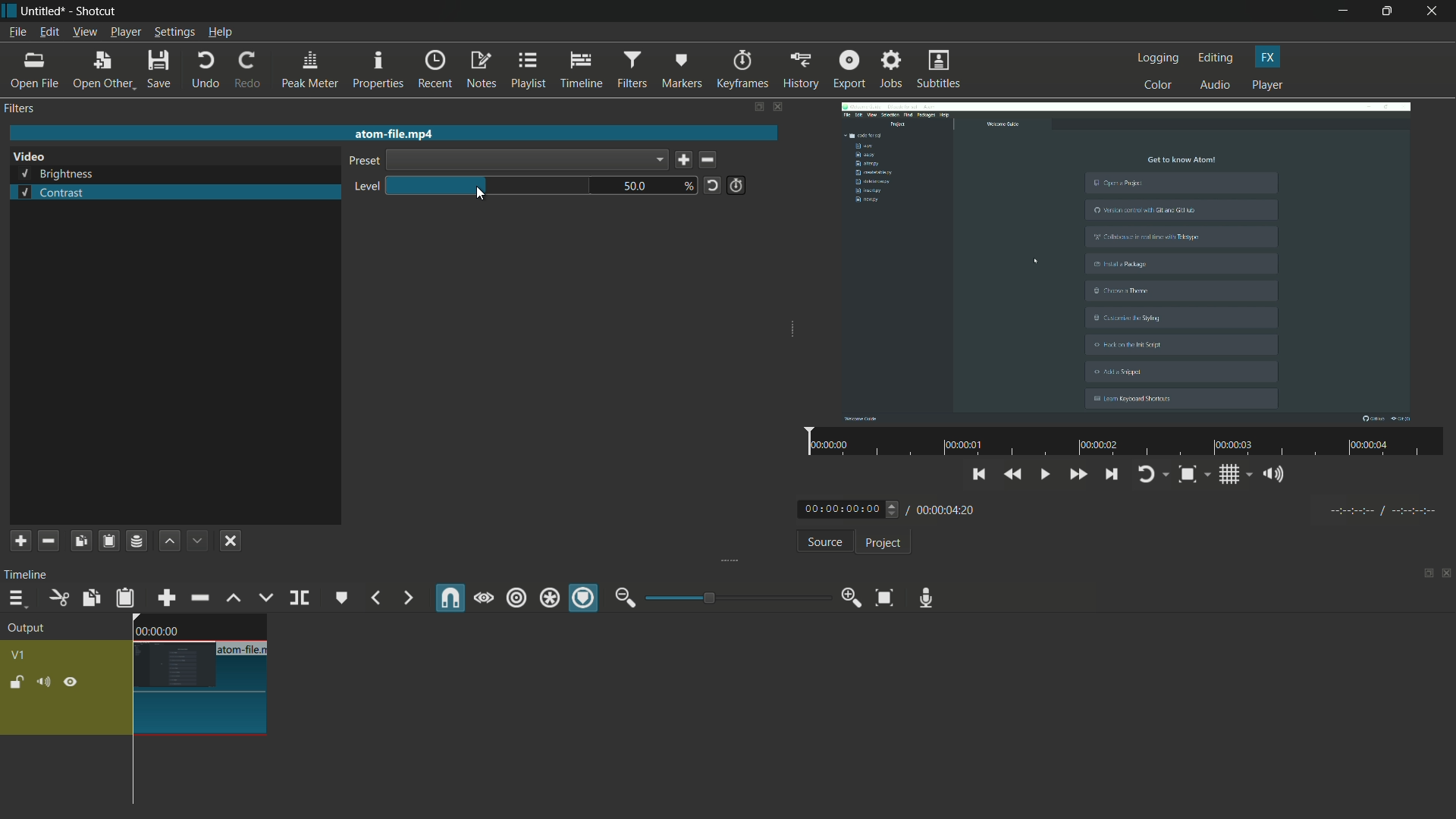  I want to click on peak meter, so click(309, 70).